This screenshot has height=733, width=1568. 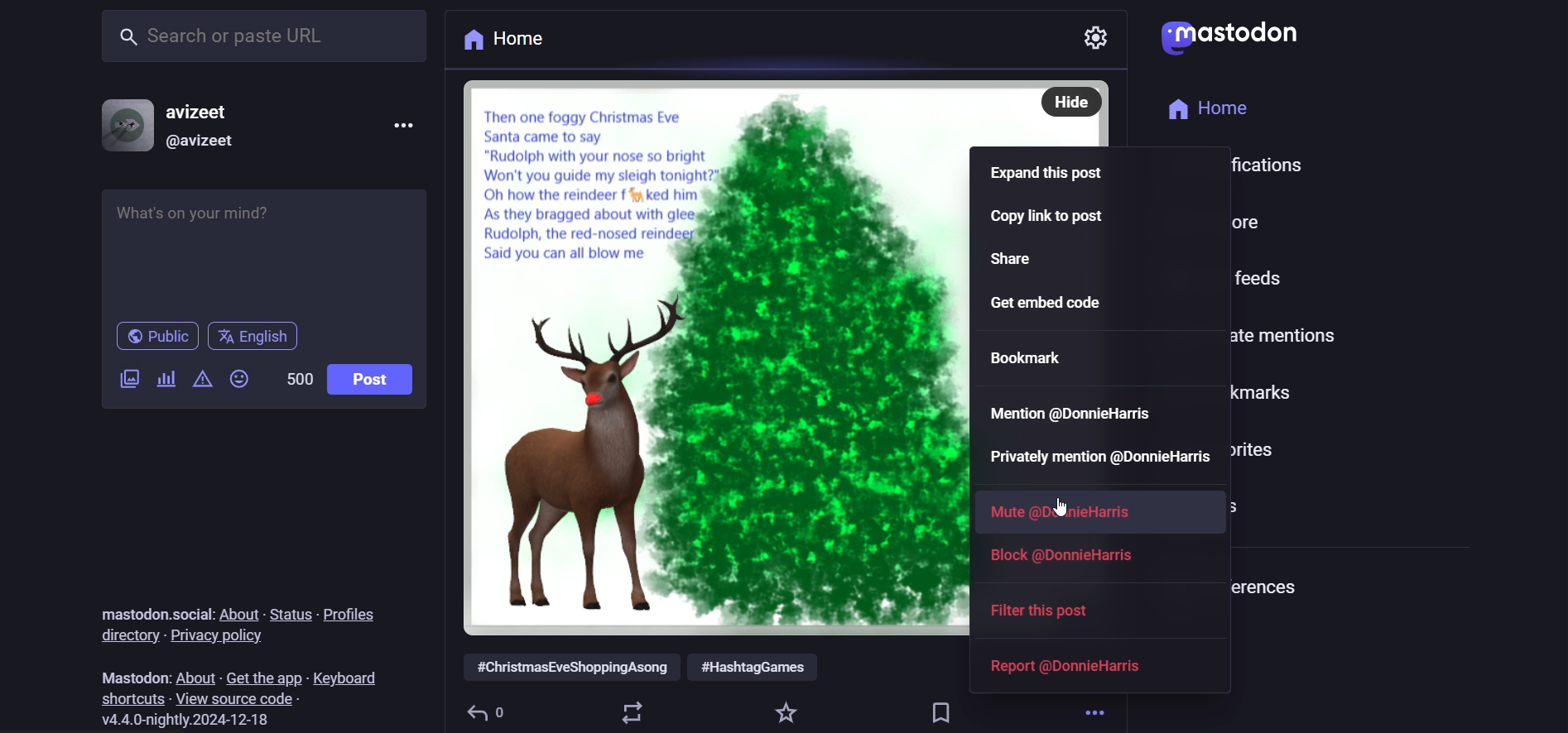 What do you see at coordinates (1030, 357) in the screenshot?
I see `bookmark` at bounding box center [1030, 357].